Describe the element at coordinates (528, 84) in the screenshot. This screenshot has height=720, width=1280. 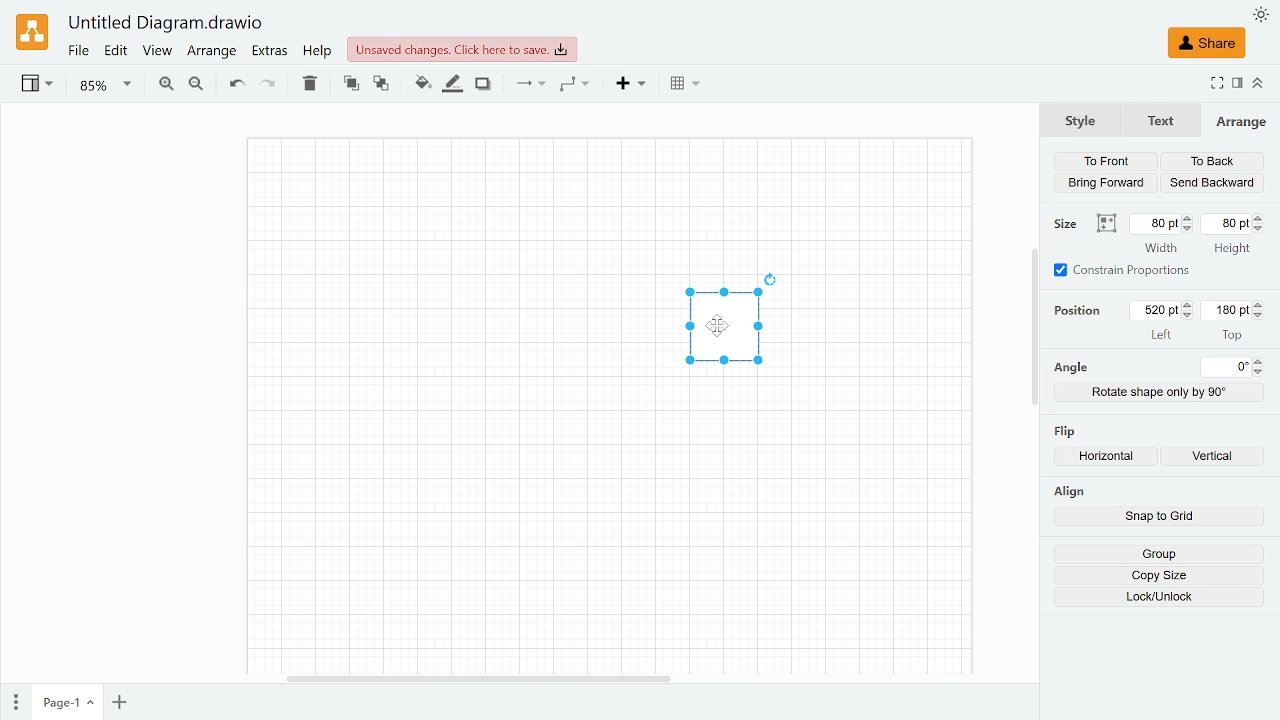
I see `Connections` at that location.